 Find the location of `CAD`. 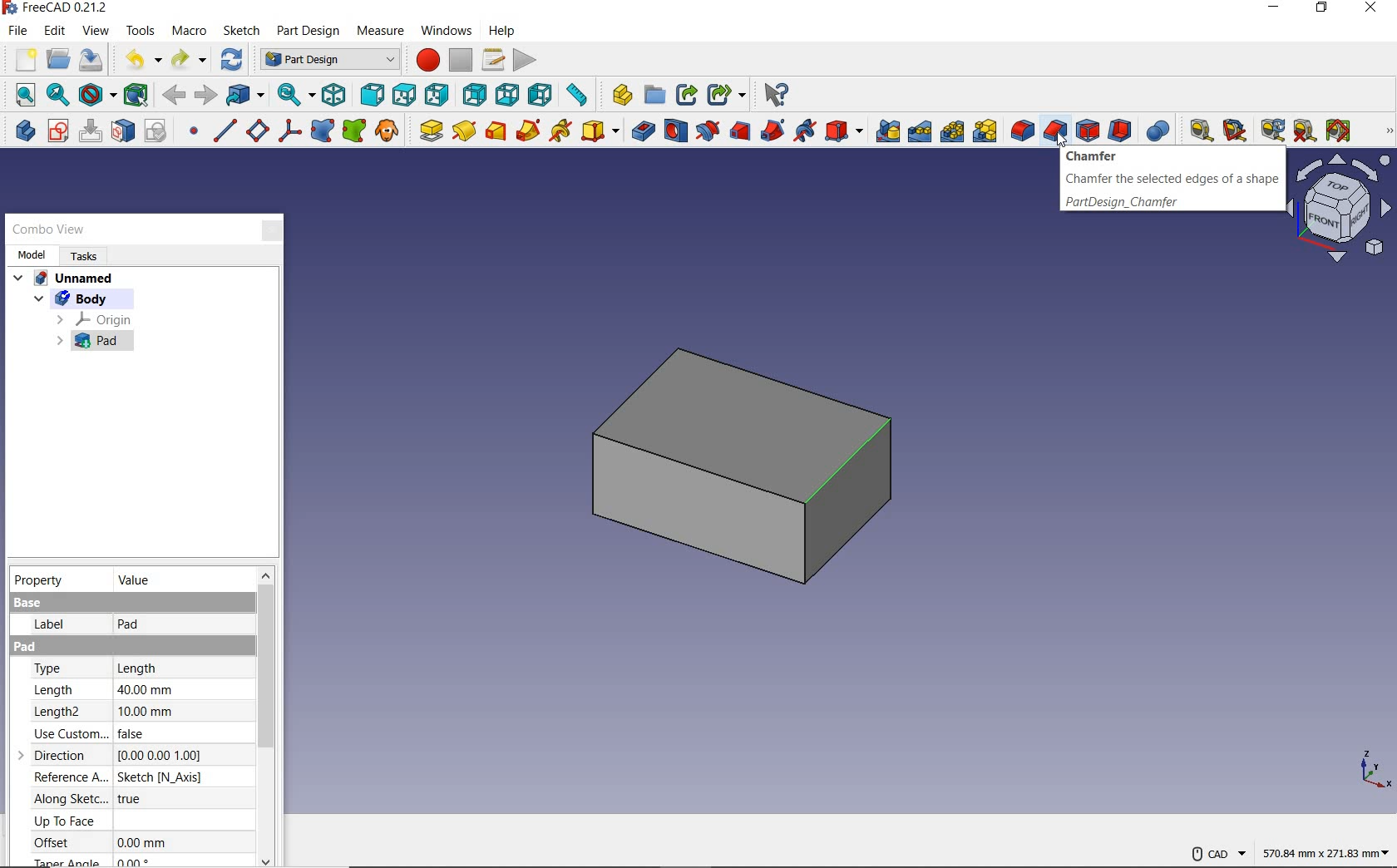

CAD is located at coordinates (1217, 855).